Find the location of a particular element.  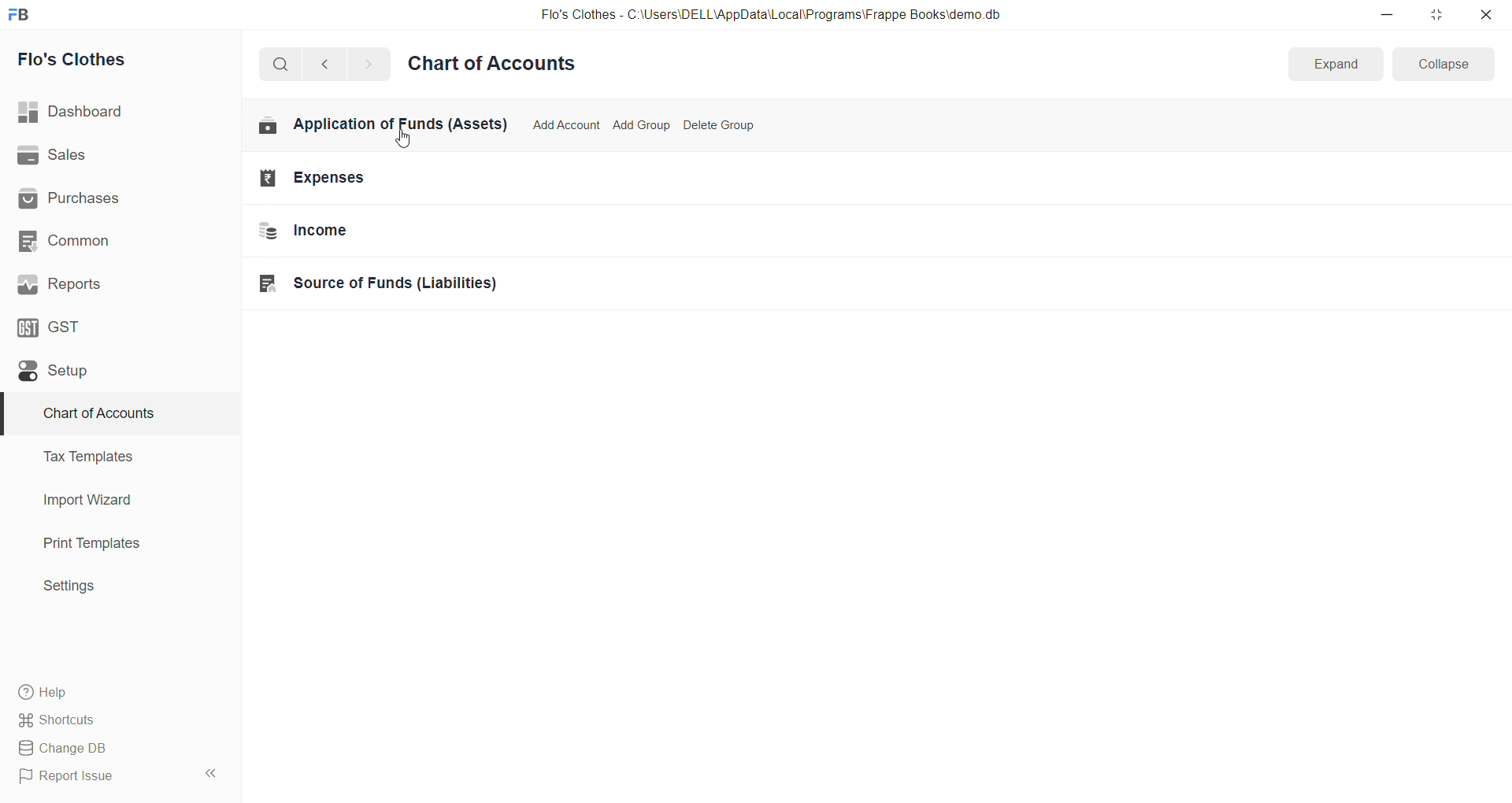

GST is located at coordinates (109, 326).